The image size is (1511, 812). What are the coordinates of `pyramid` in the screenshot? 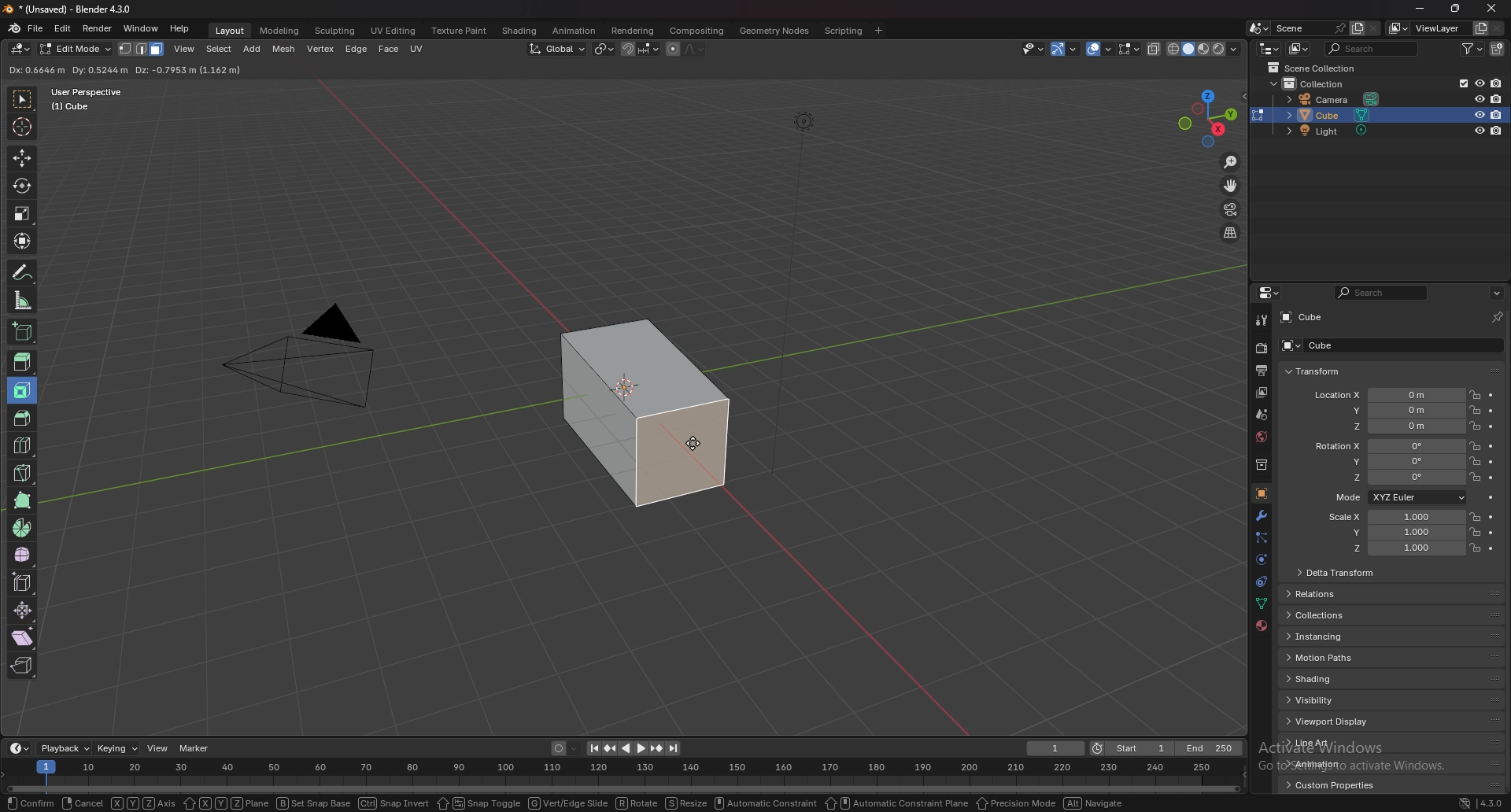 It's located at (304, 369).